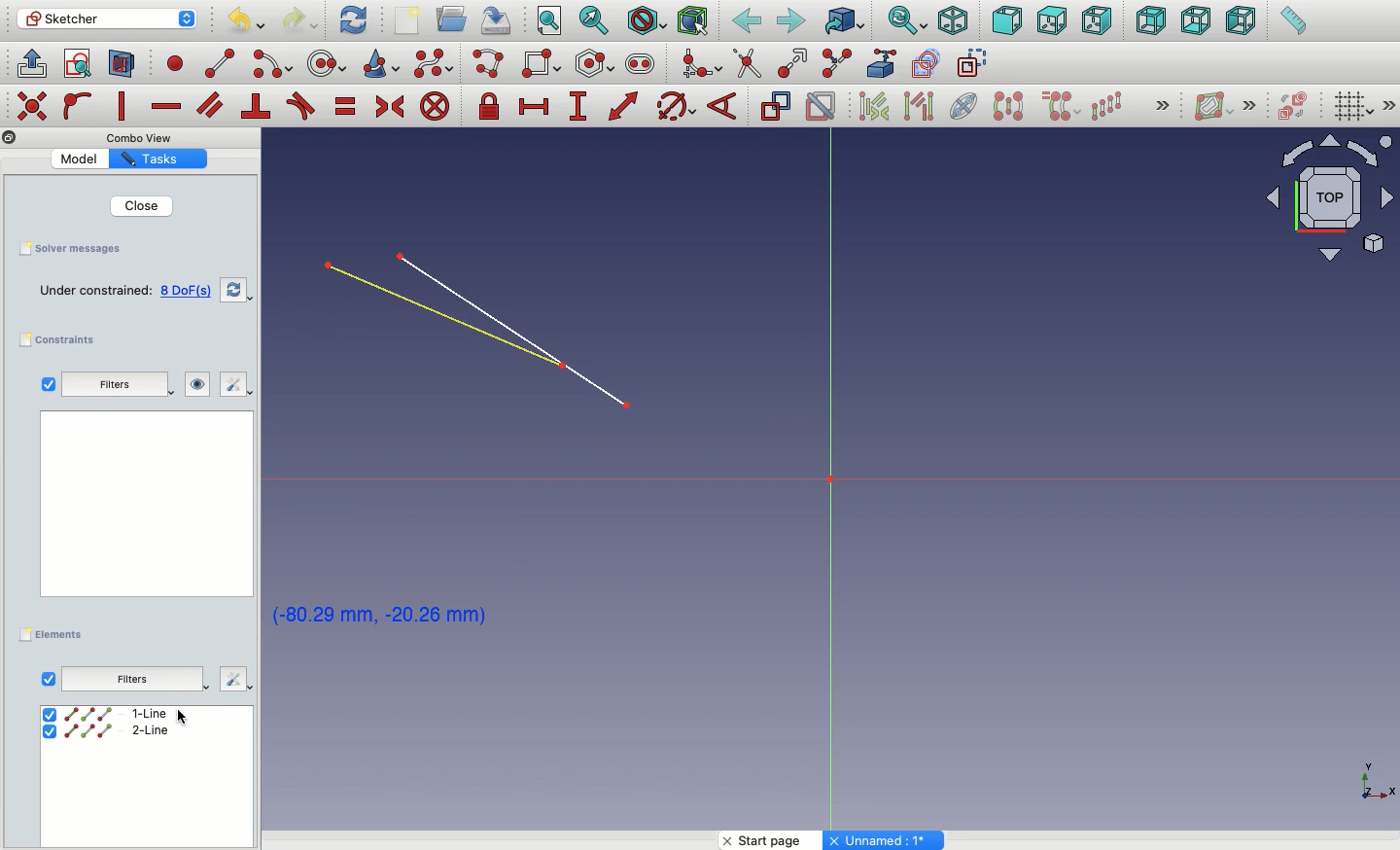 The image size is (1400, 850). What do you see at coordinates (78, 108) in the screenshot?
I see `Constrain point on to object` at bounding box center [78, 108].